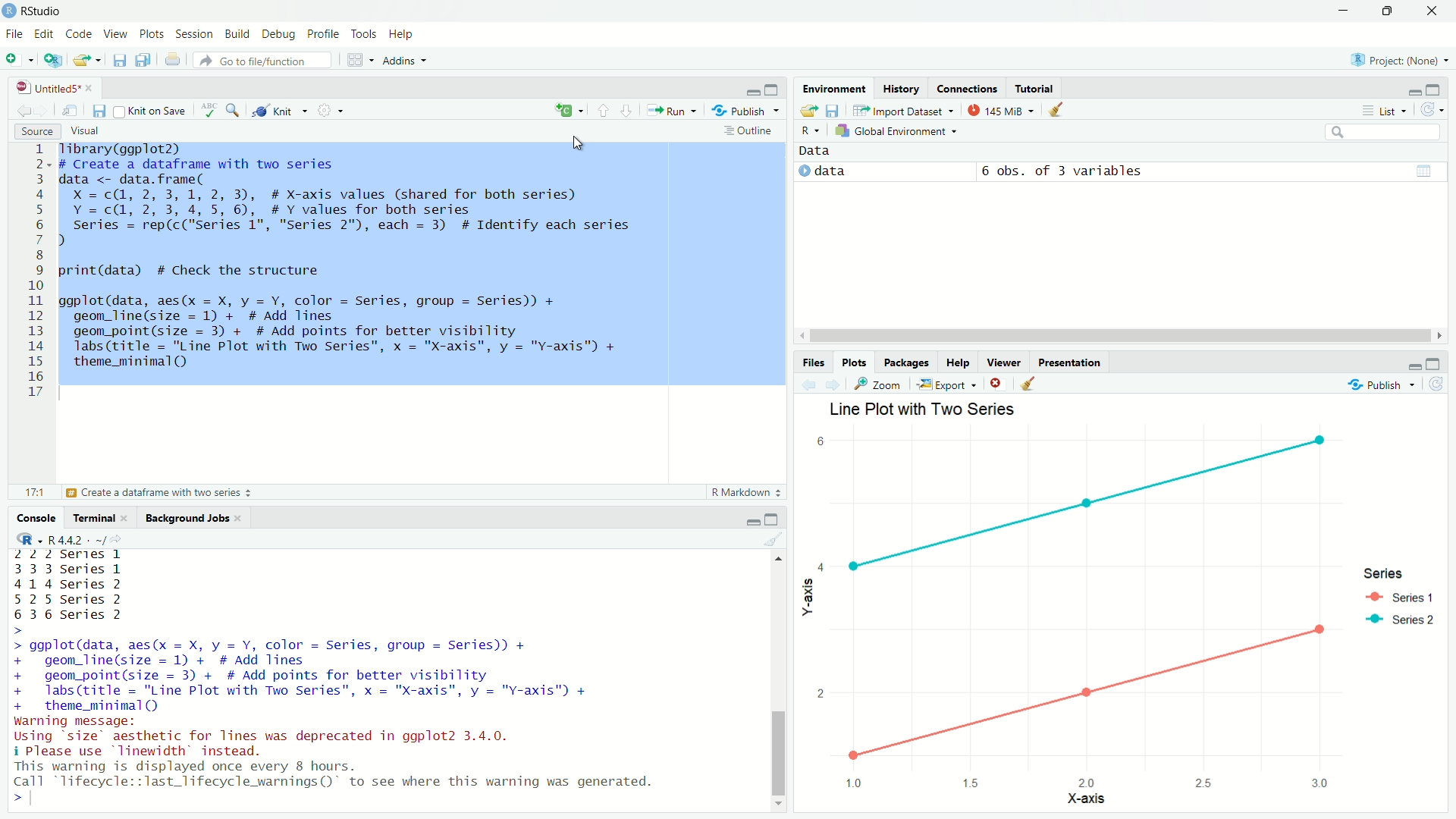  Describe the element at coordinates (45, 36) in the screenshot. I see `edit` at that location.